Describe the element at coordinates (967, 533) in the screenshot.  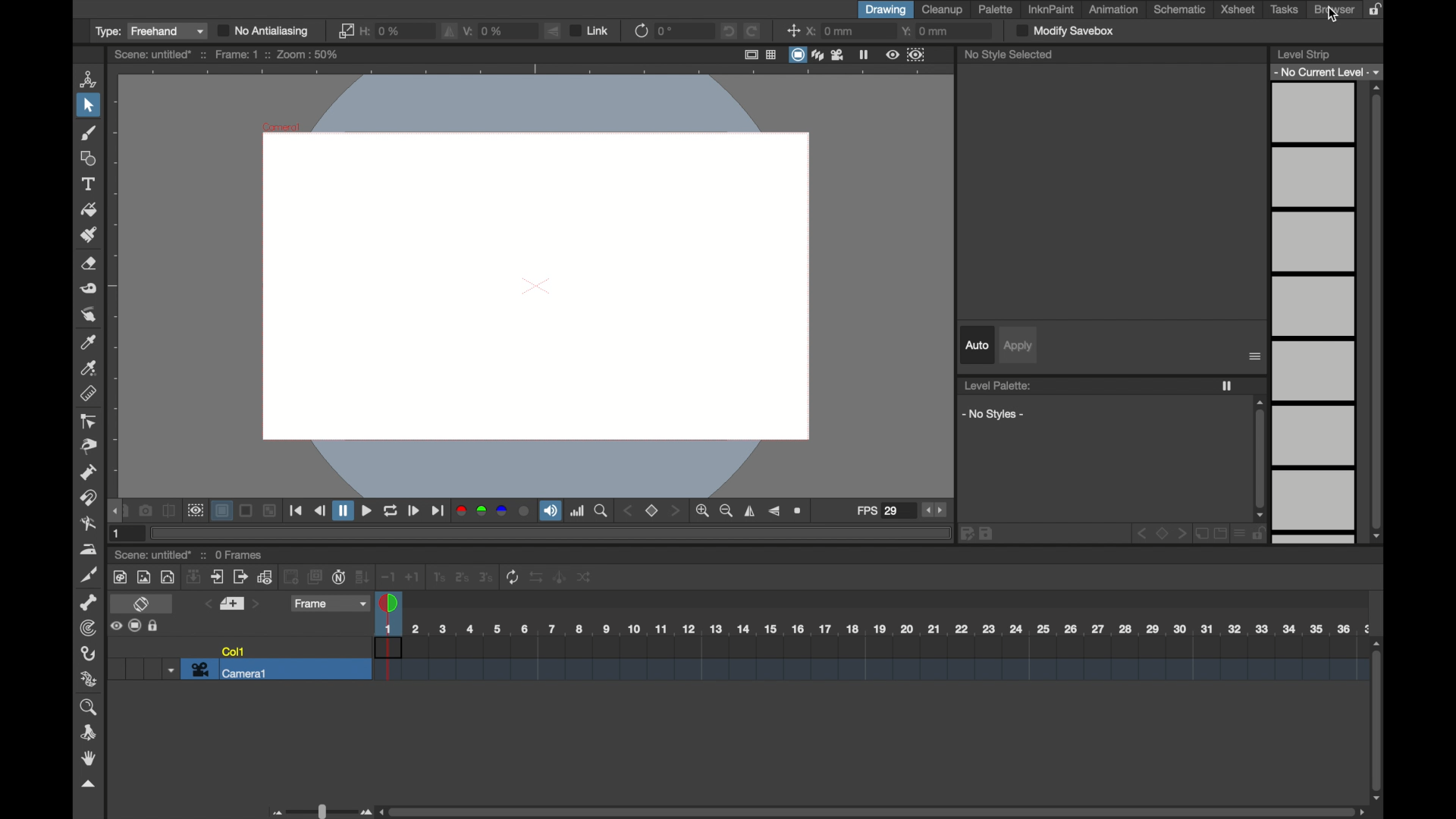
I see `edit` at that location.